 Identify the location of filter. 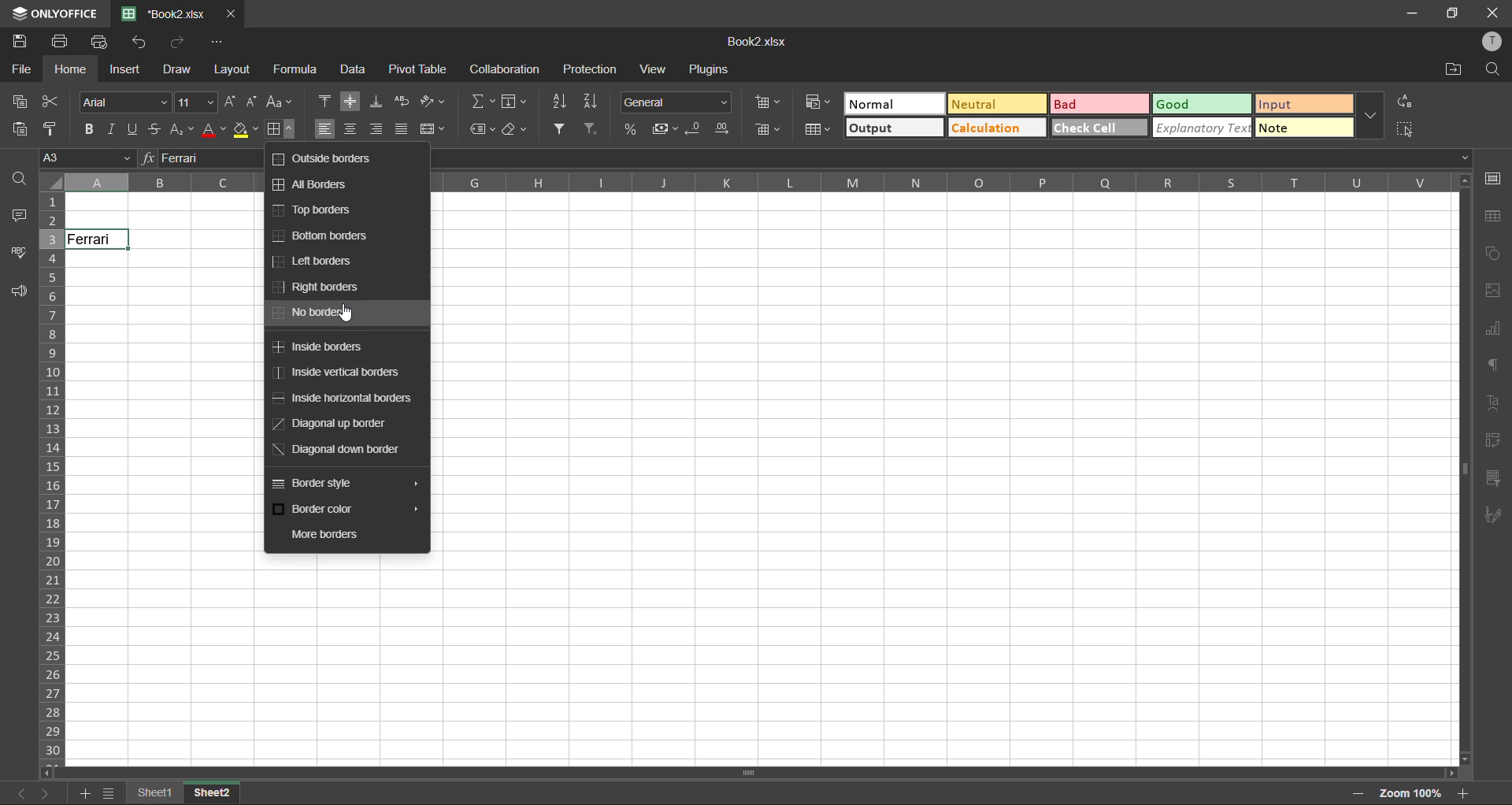
(558, 128).